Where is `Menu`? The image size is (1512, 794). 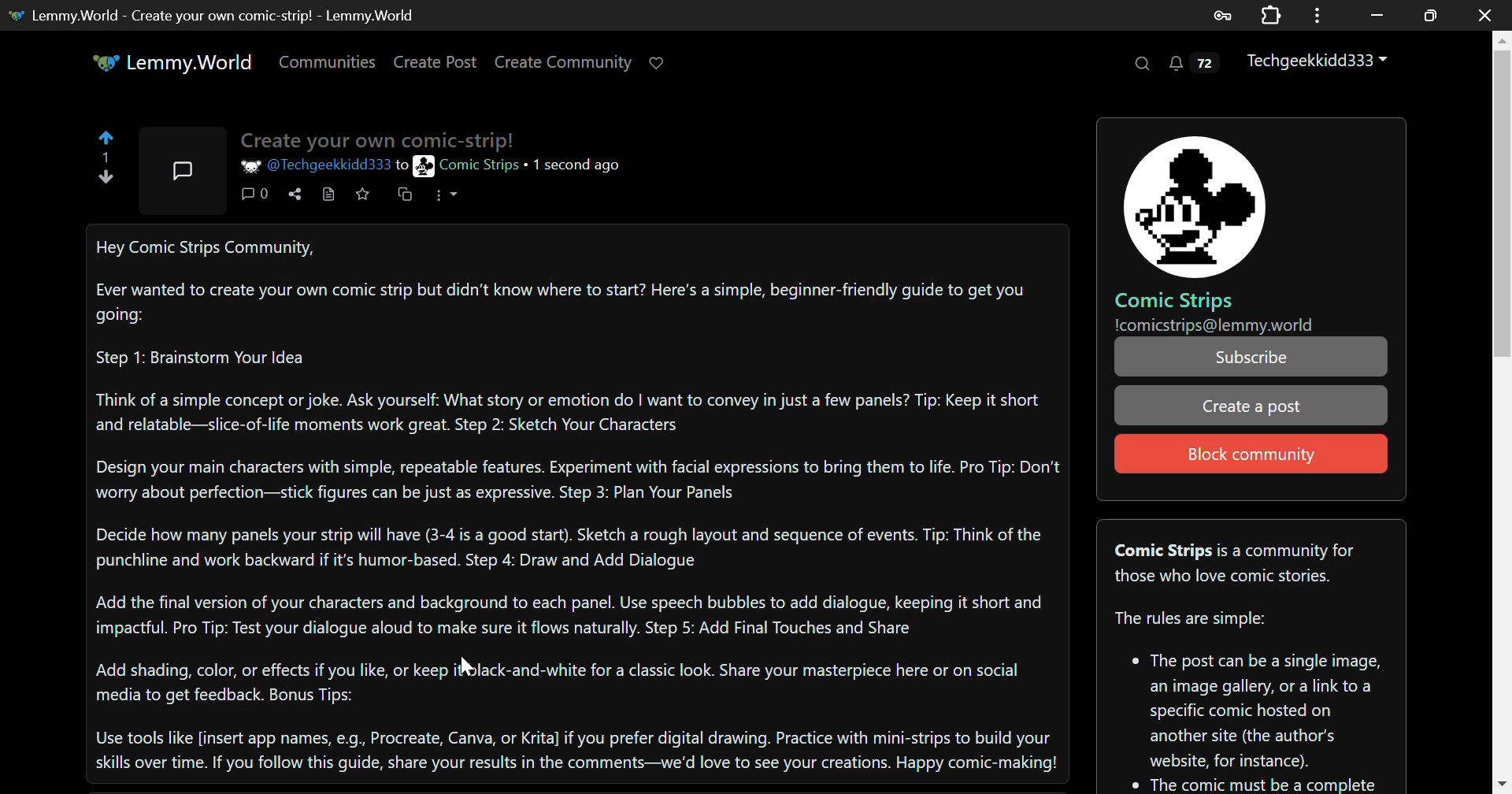
Menu is located at coordinates (1322, 14).